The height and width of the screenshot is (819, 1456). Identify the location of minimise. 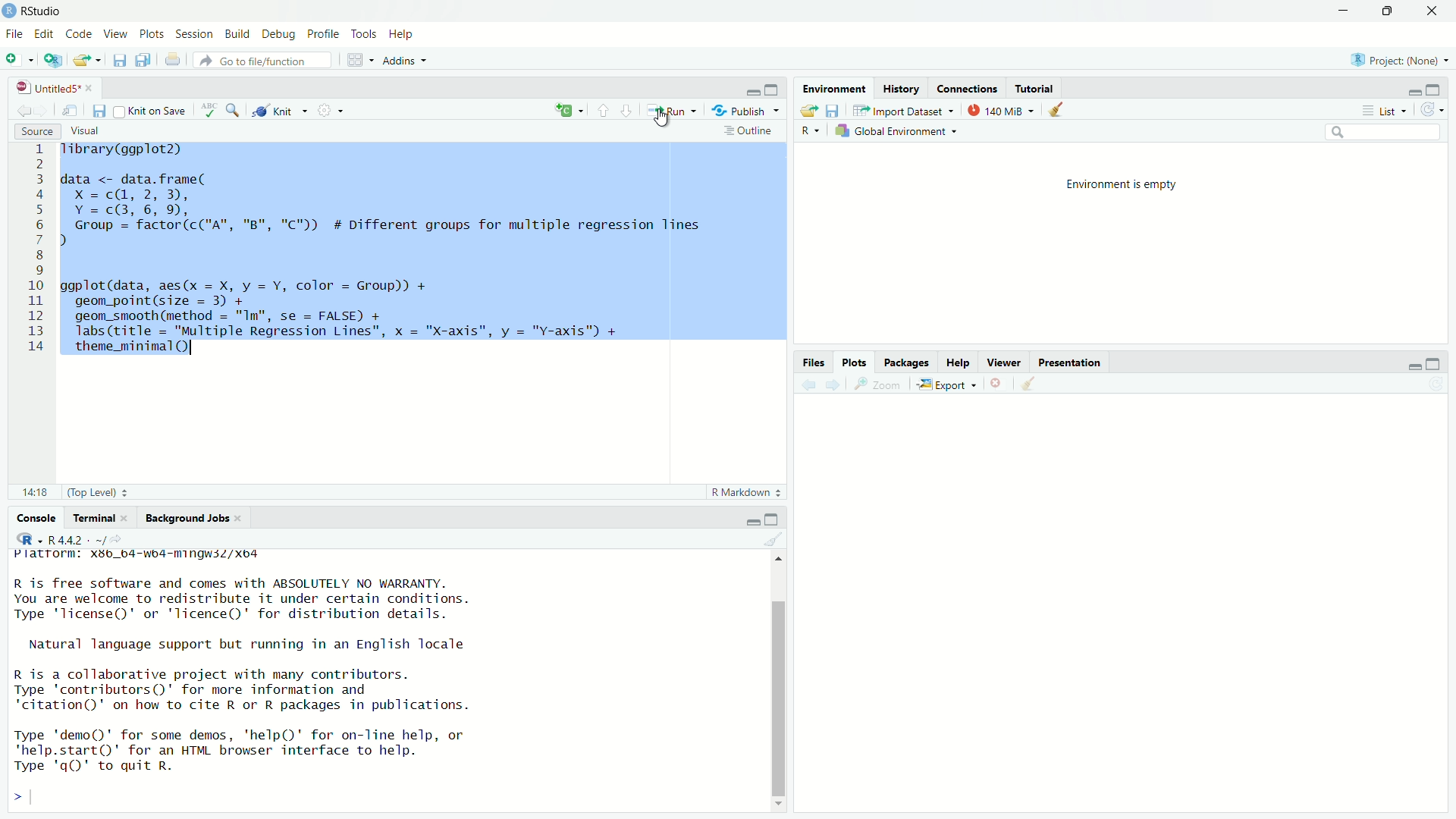
(742, 520).